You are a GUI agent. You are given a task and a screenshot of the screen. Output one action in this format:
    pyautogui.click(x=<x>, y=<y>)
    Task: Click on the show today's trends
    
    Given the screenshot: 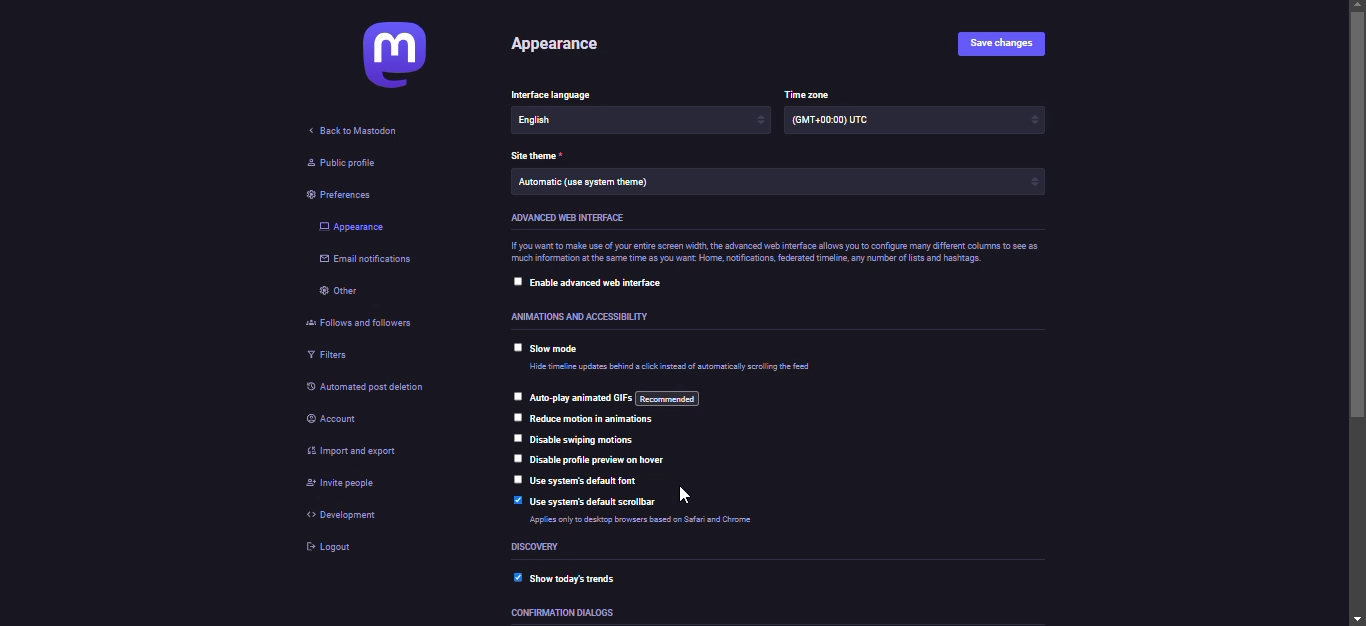 What is the action you would take?
    pyautogui.click(x=571, y=579)
    